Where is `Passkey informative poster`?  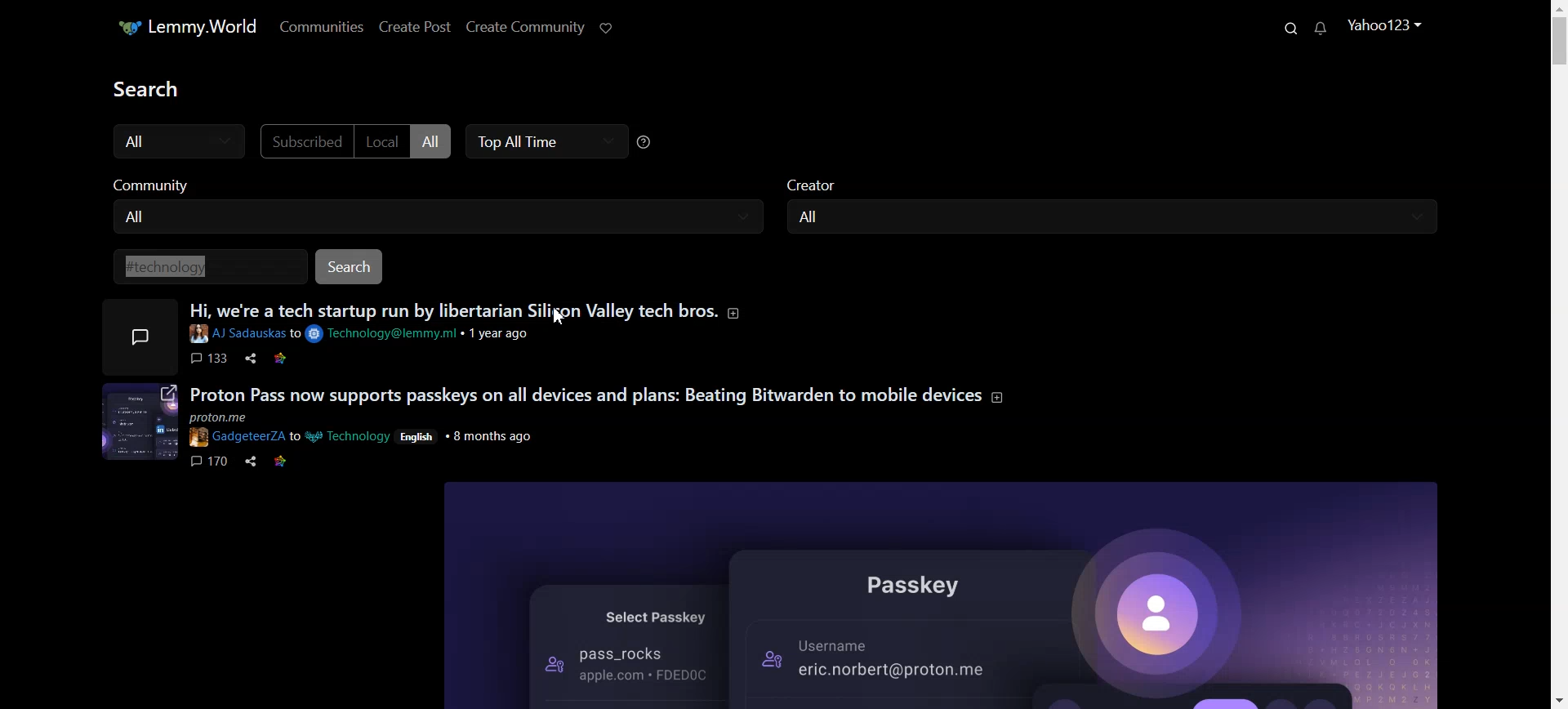
Passkey informative poster is located at coordinates (947, 594).